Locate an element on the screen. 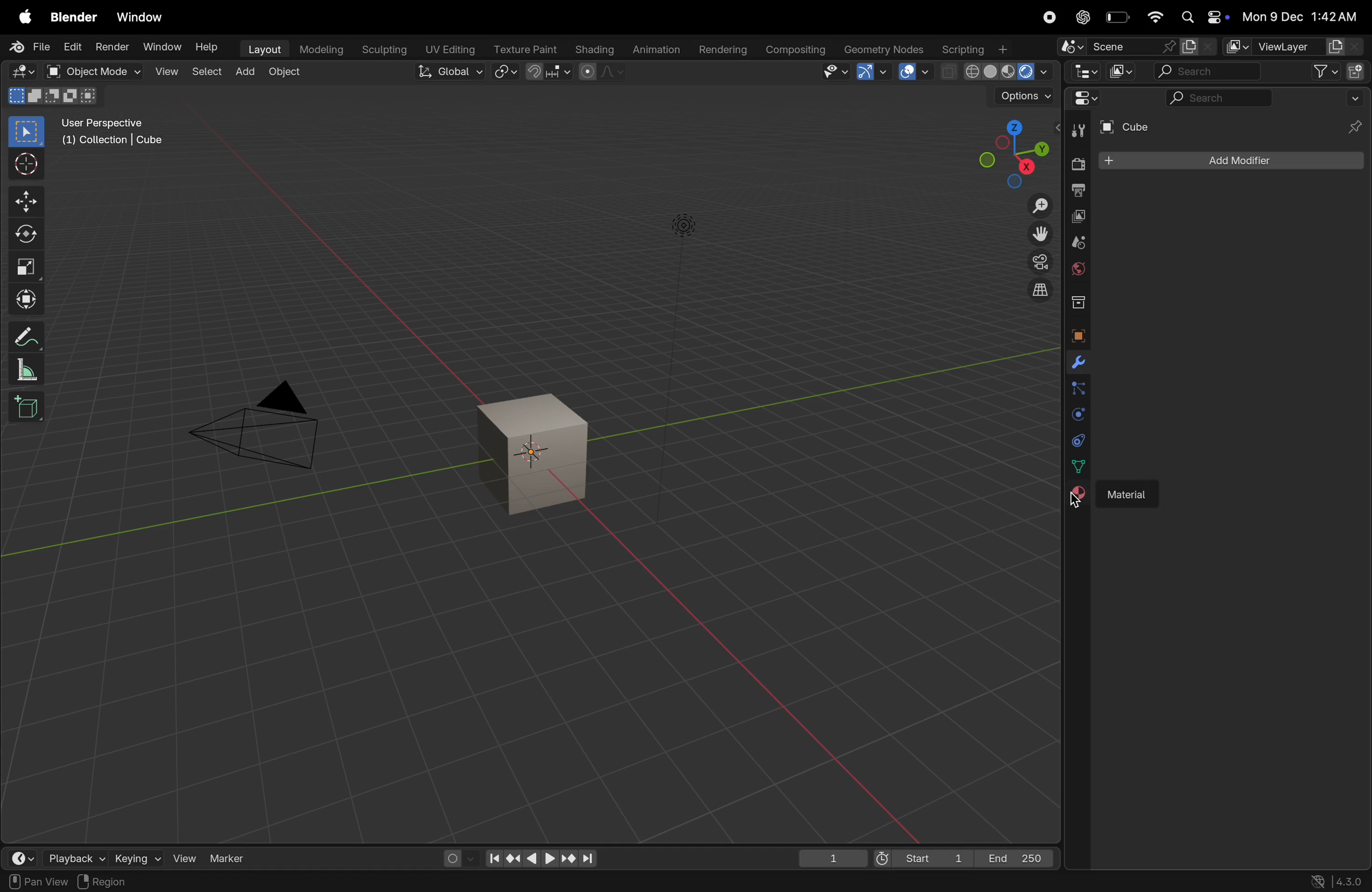 The image size is (1372, 892). cursosr is located at coordinates (22, 165).